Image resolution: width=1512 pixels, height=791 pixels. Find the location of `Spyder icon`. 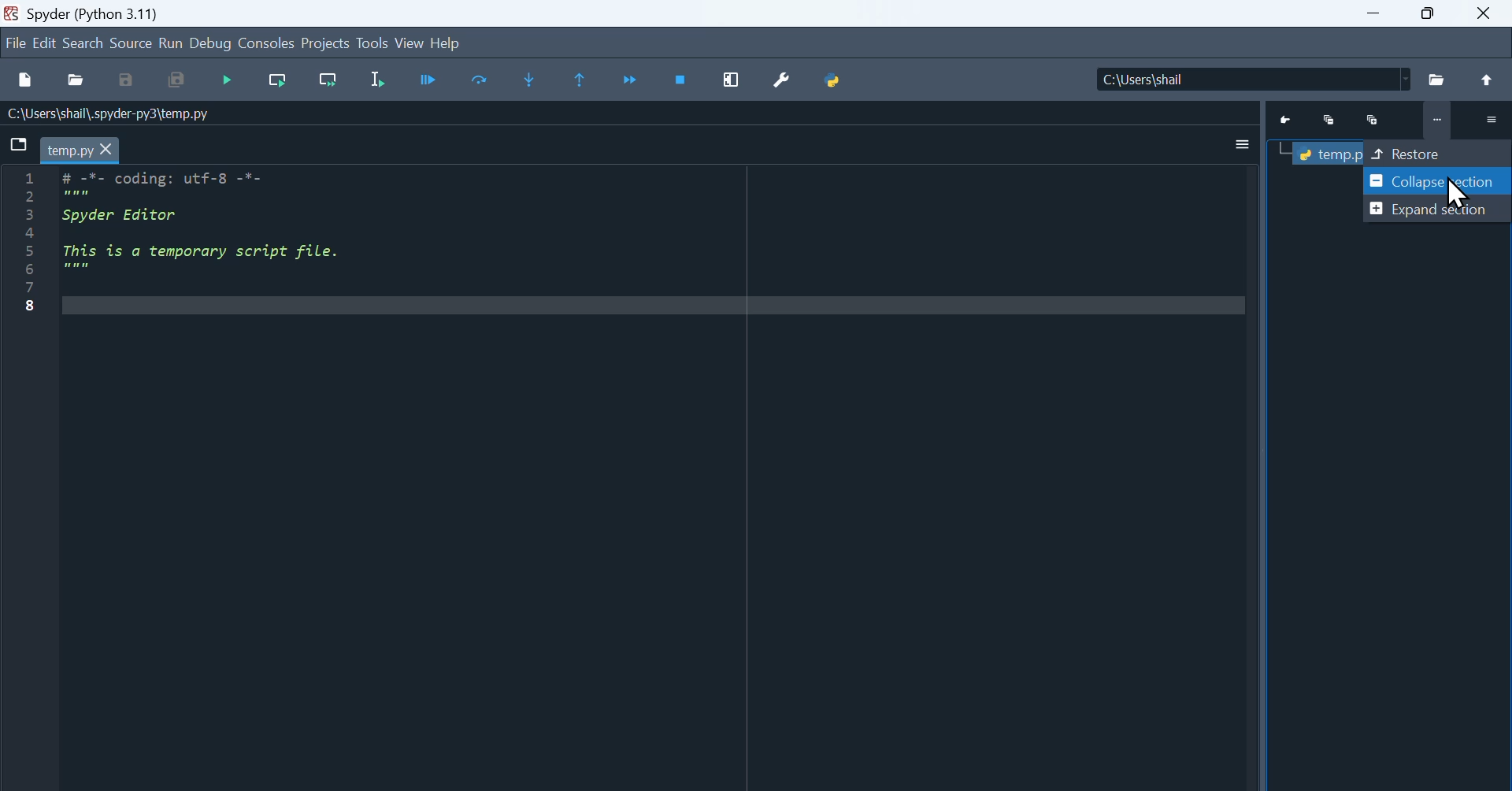

Spyder icon is located at coordinates (11, 12).